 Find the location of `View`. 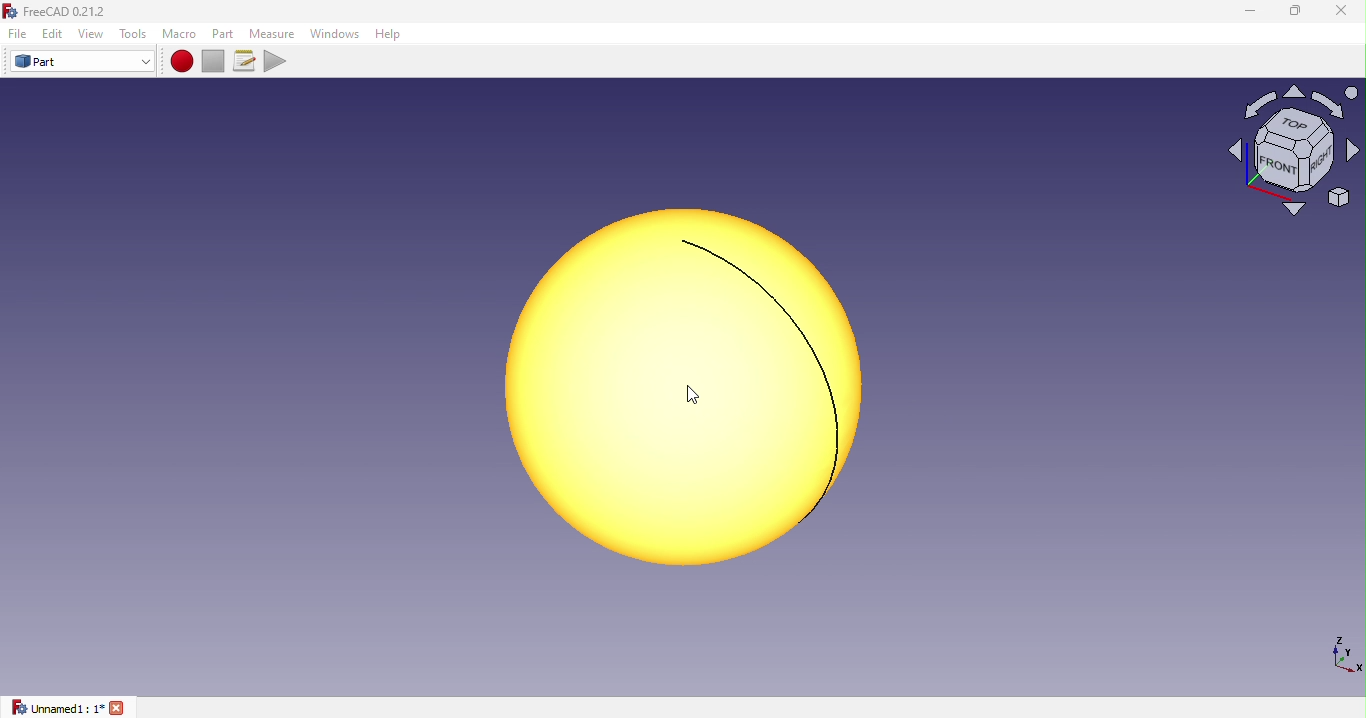

View is located at coordinates (94, 34).